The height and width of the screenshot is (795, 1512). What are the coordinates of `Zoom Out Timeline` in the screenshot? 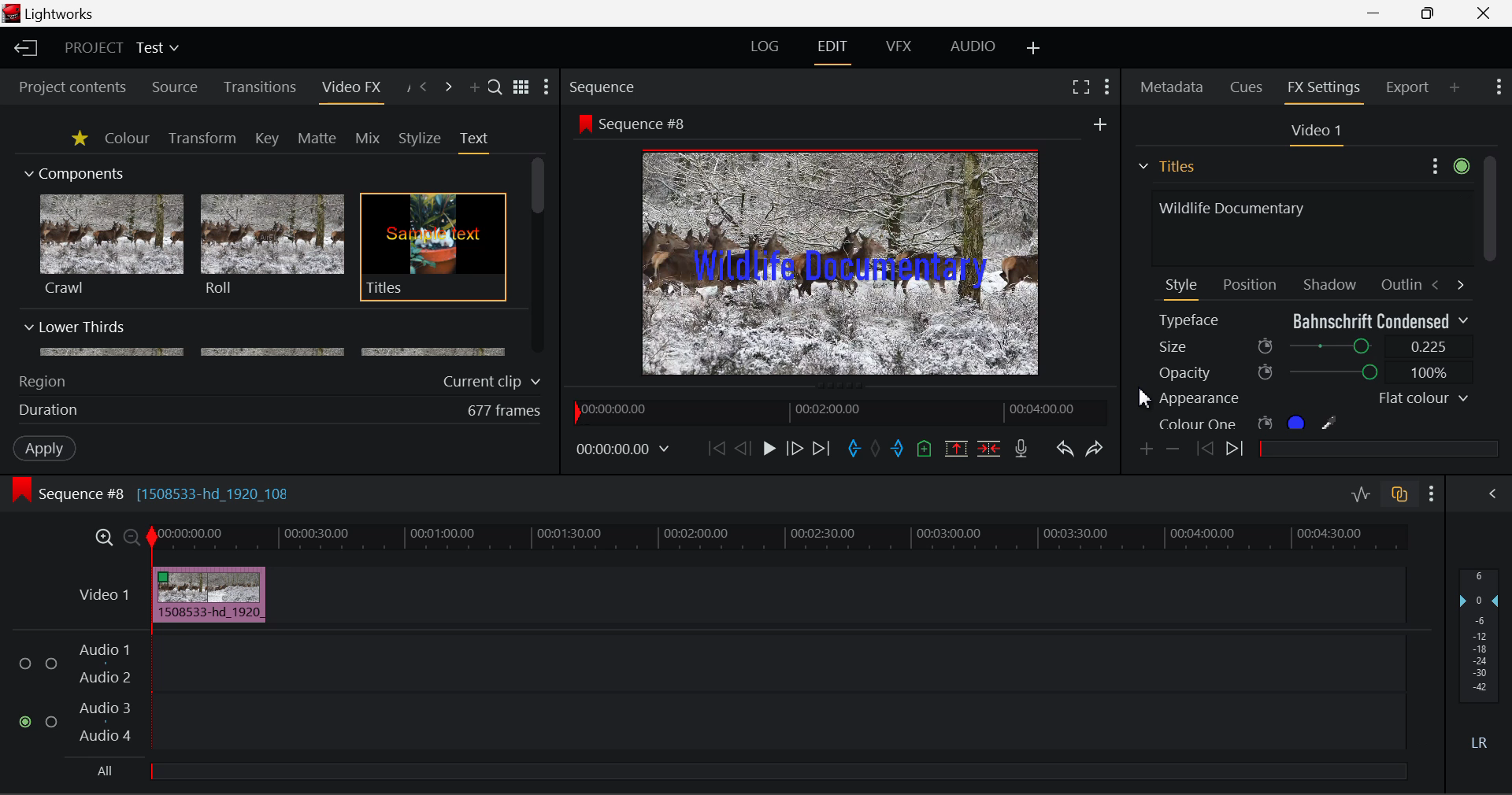 It's located at (132, 539).